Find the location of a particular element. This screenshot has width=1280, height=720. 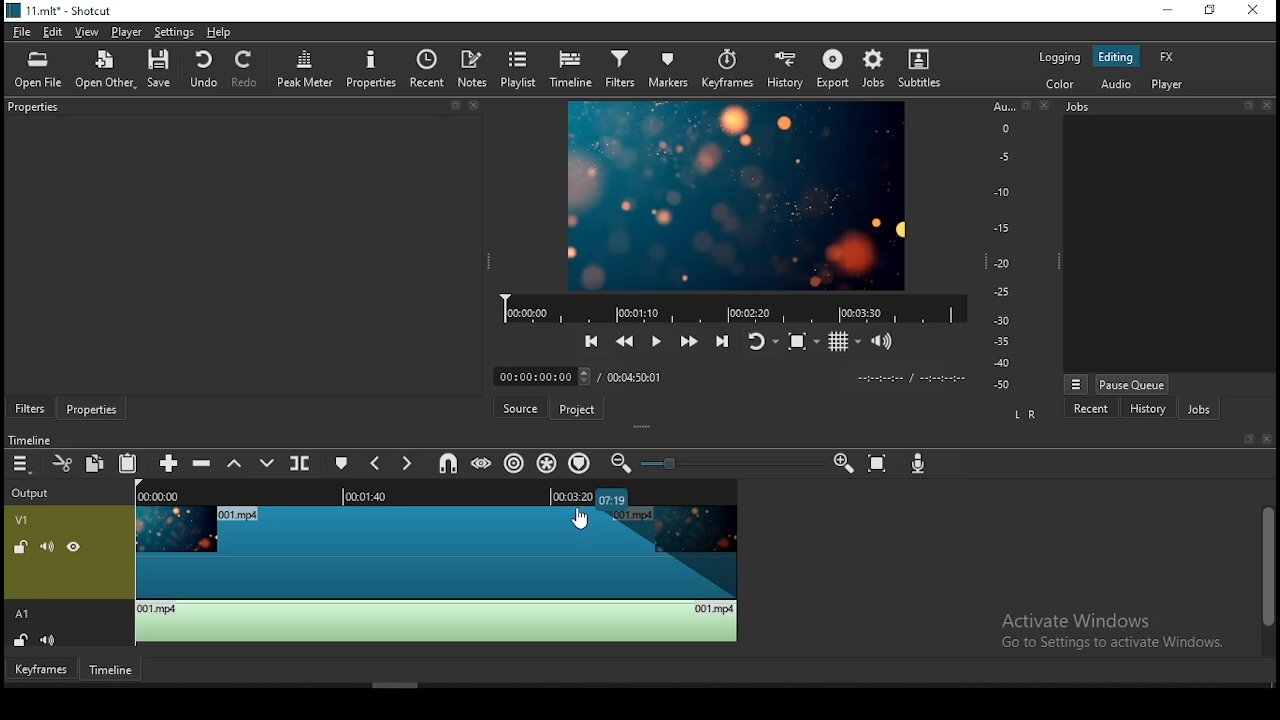

play quickly forwards is located at coordinates (688, 343).